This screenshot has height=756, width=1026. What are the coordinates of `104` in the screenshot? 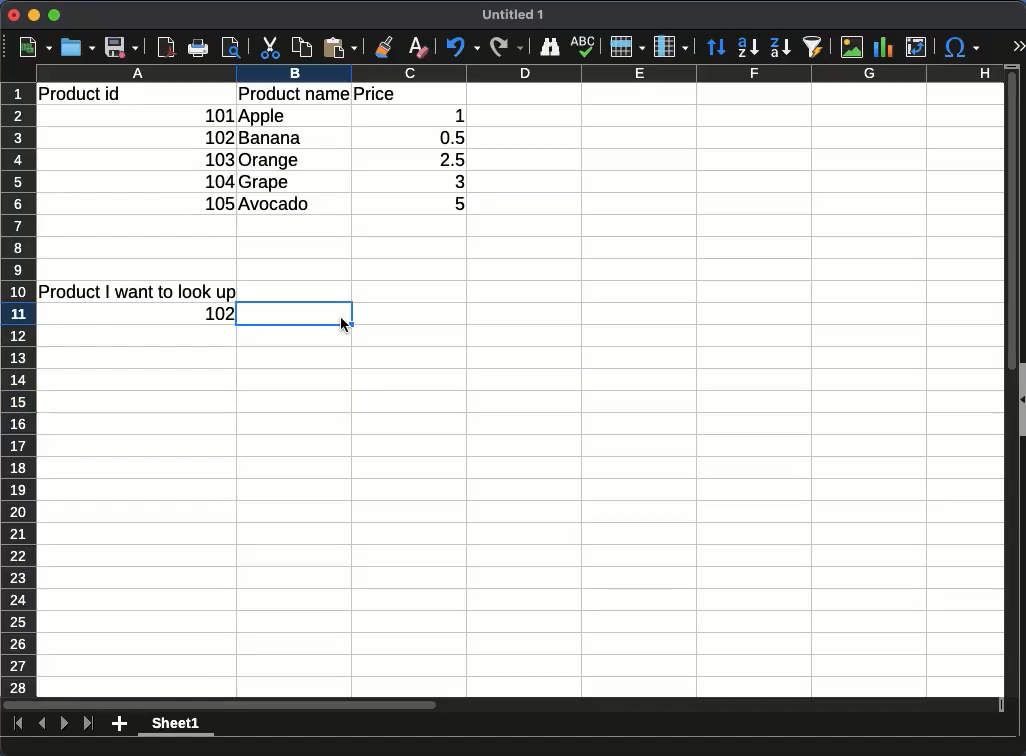 It's located at (220, 182).